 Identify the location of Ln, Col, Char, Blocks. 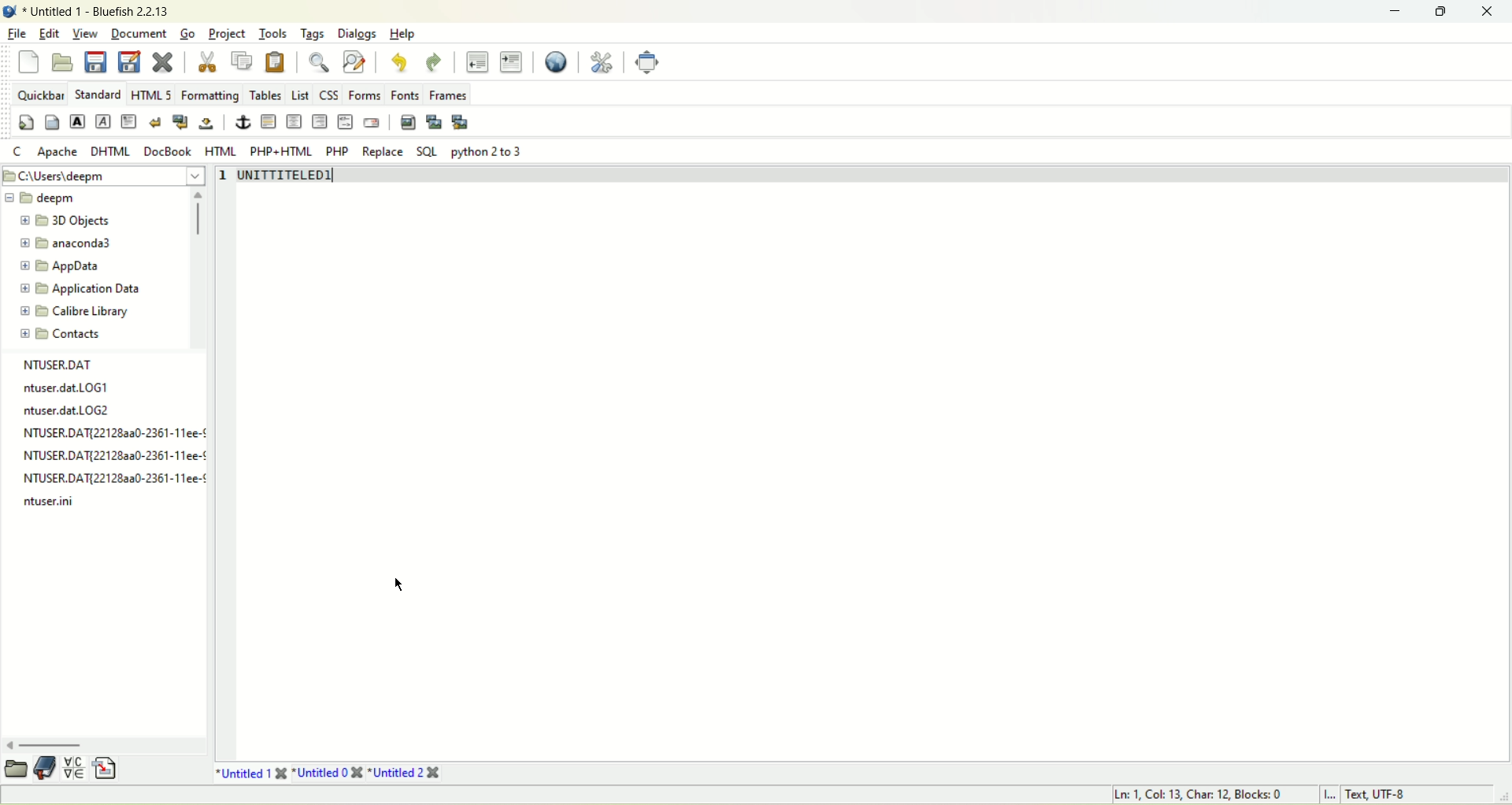
(1195, 796).